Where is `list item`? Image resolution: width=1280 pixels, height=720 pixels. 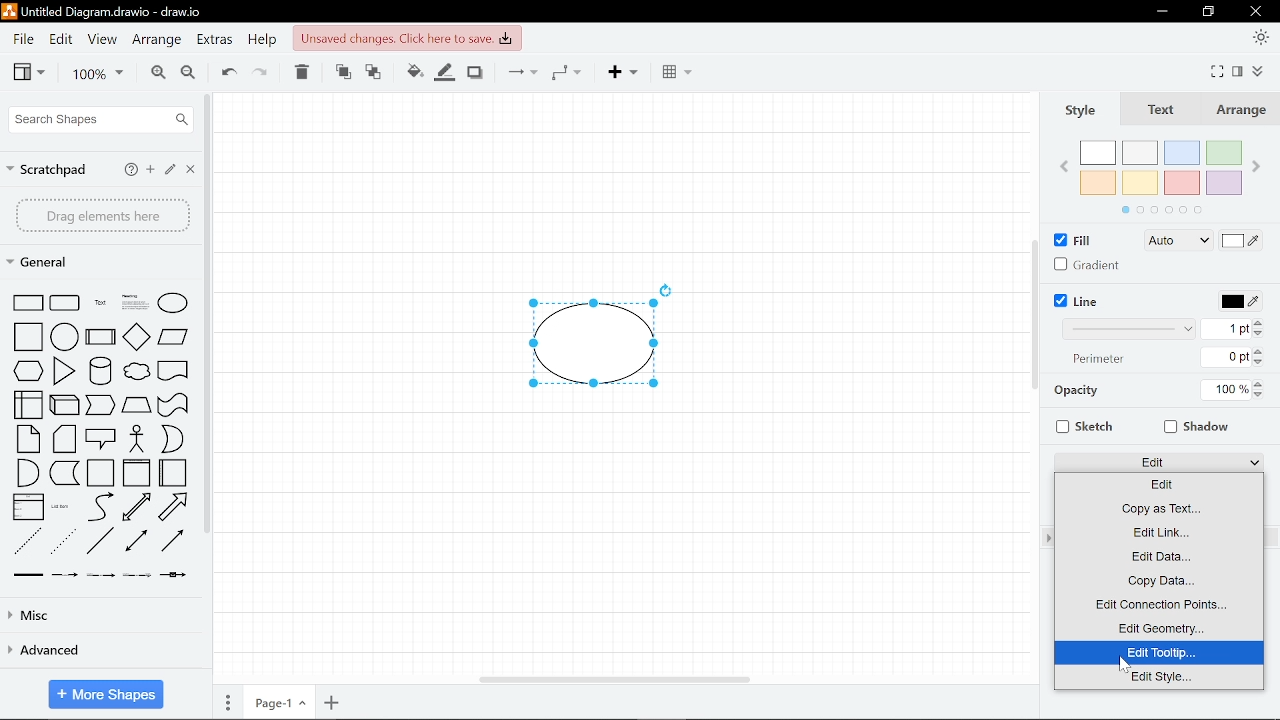
list item is located at coordinates (61, 506).